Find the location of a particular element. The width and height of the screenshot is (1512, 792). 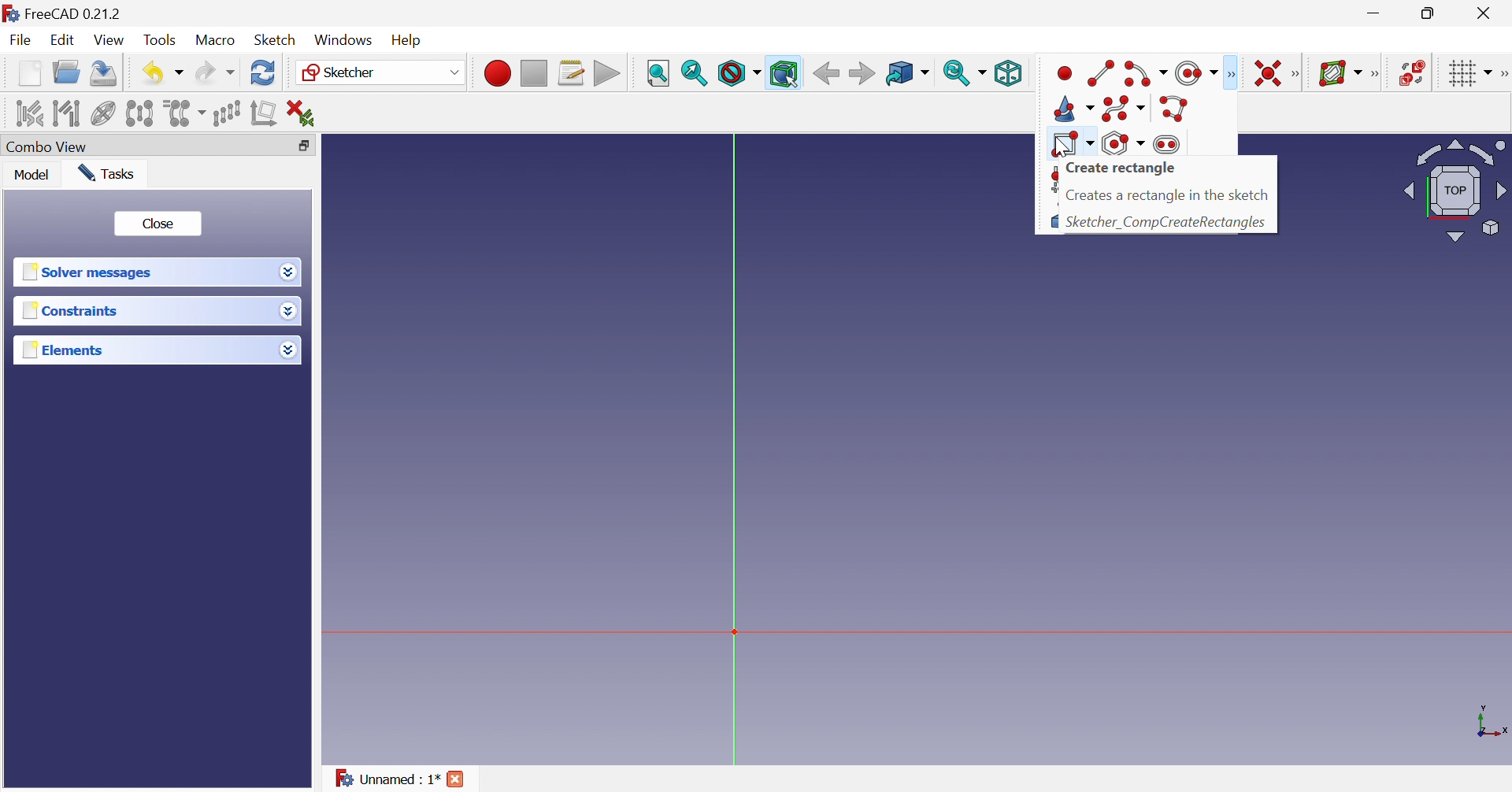

Stop macro recording is located at coordinates (534, 72).